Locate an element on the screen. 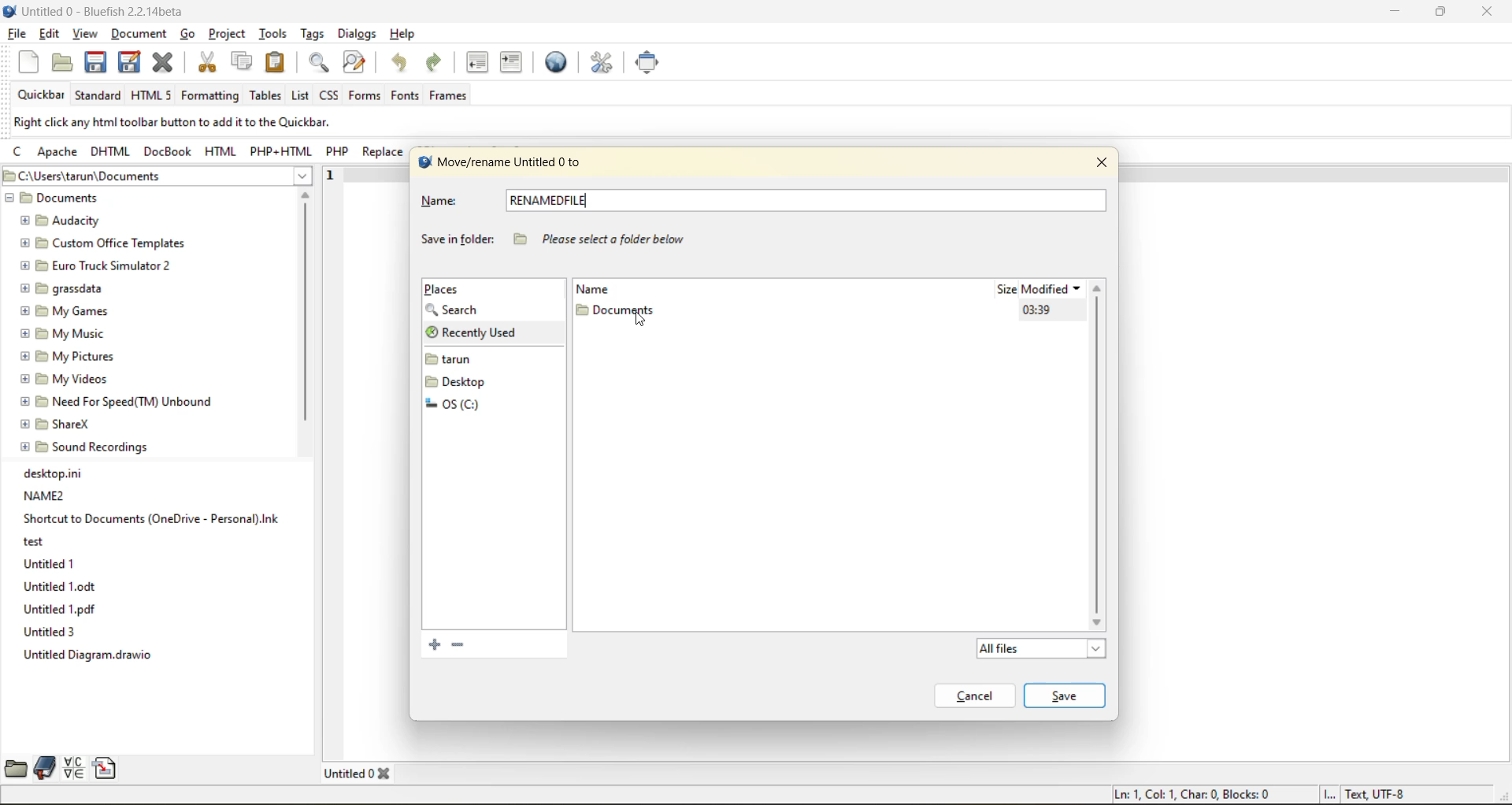 This screenshot has width=1512, height=805. Custom Office Templates is located at coordinates (98, 244).